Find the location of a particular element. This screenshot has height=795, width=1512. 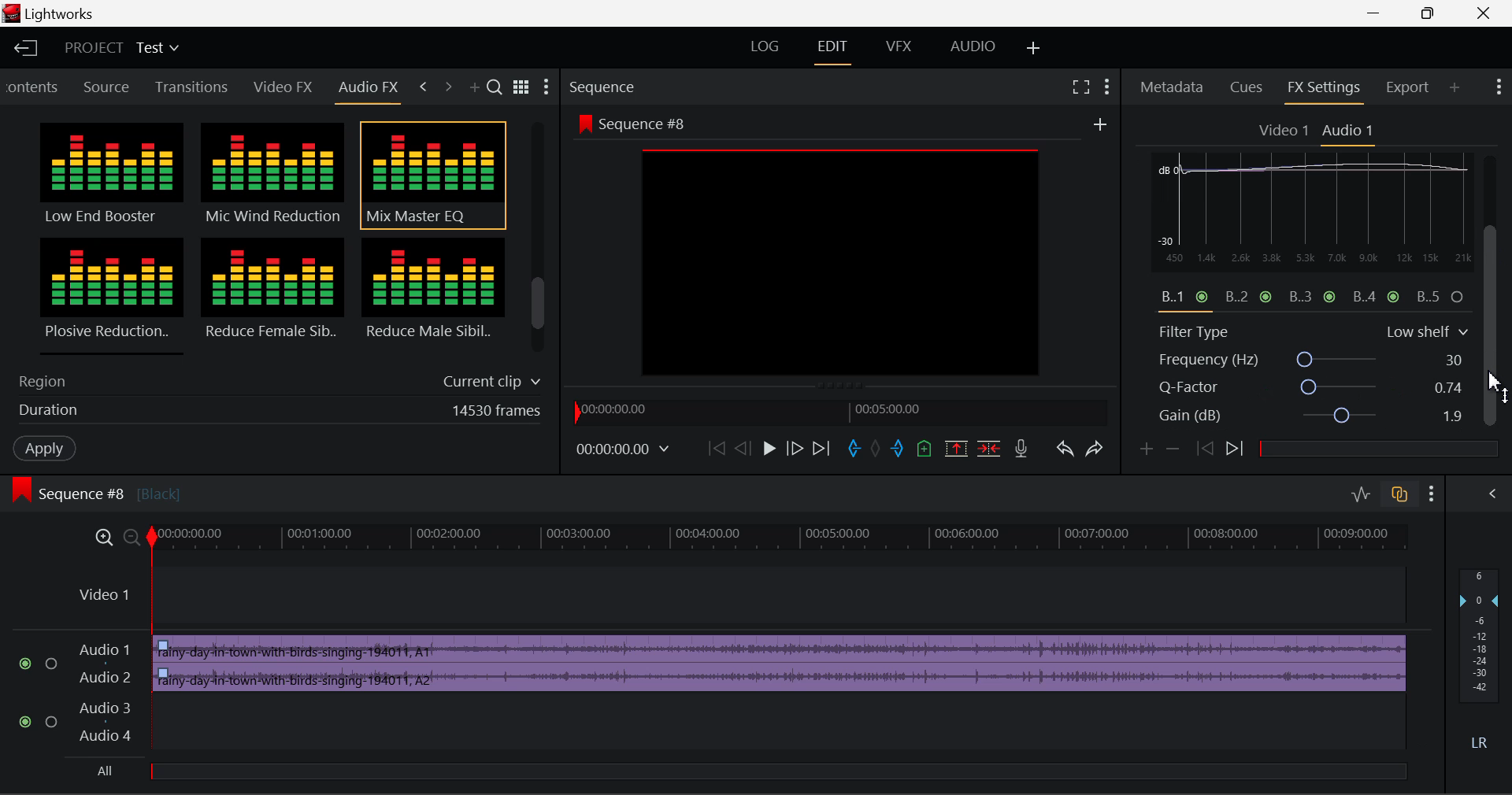

Decibel Level is located at coordinates (1482, 663).